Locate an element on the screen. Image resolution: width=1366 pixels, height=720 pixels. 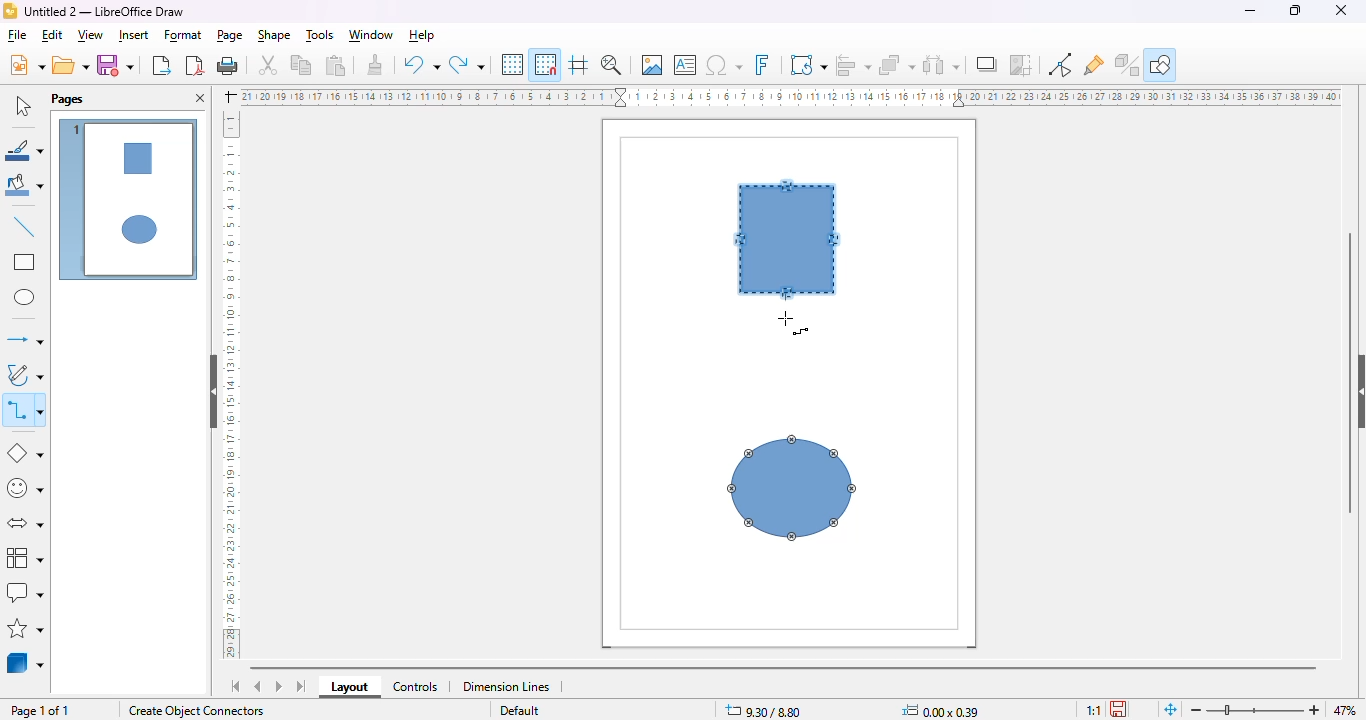
scaling factor of the document is located at coordinates (1091, 708).